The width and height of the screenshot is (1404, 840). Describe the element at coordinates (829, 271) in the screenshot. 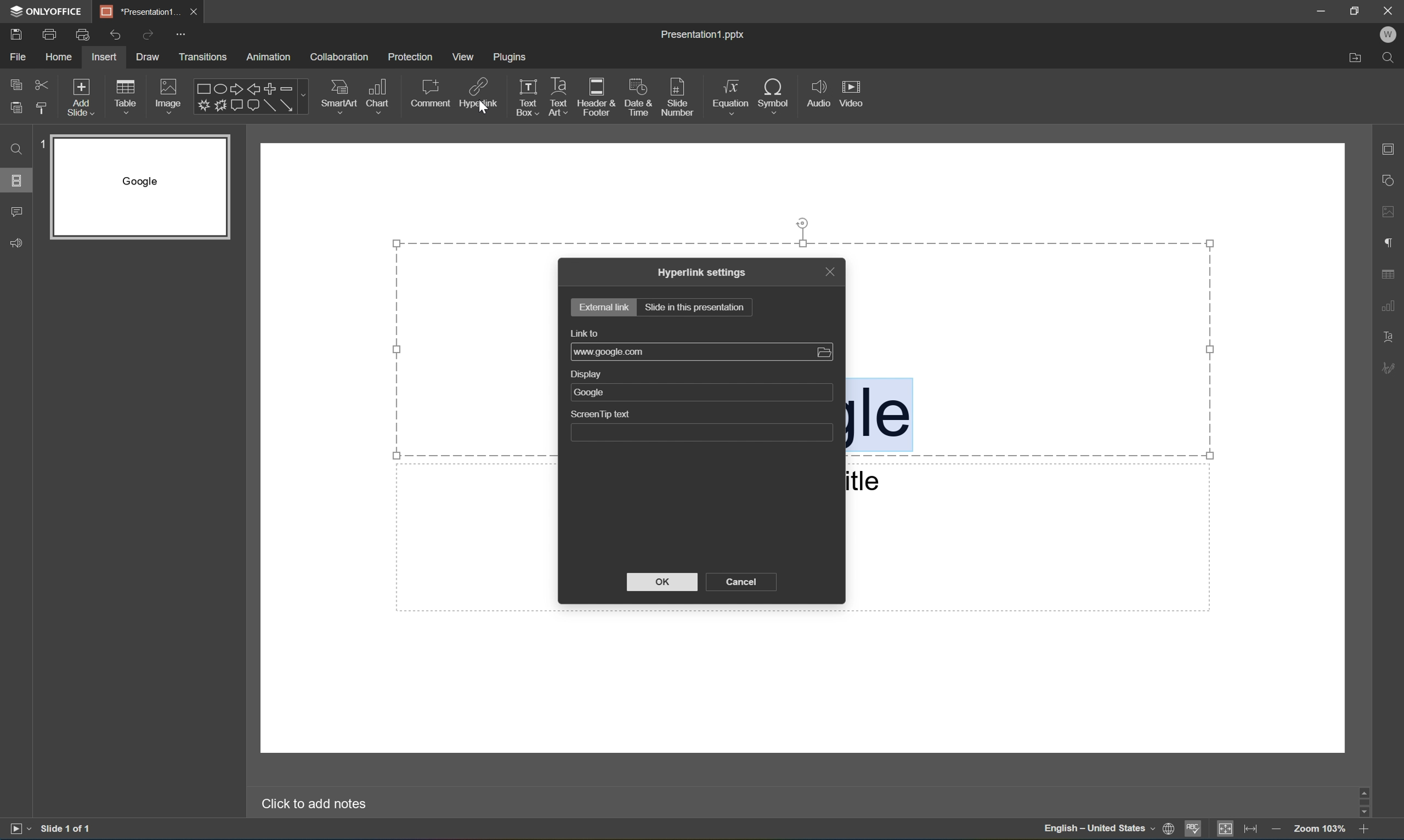

I see `Close` at that location.